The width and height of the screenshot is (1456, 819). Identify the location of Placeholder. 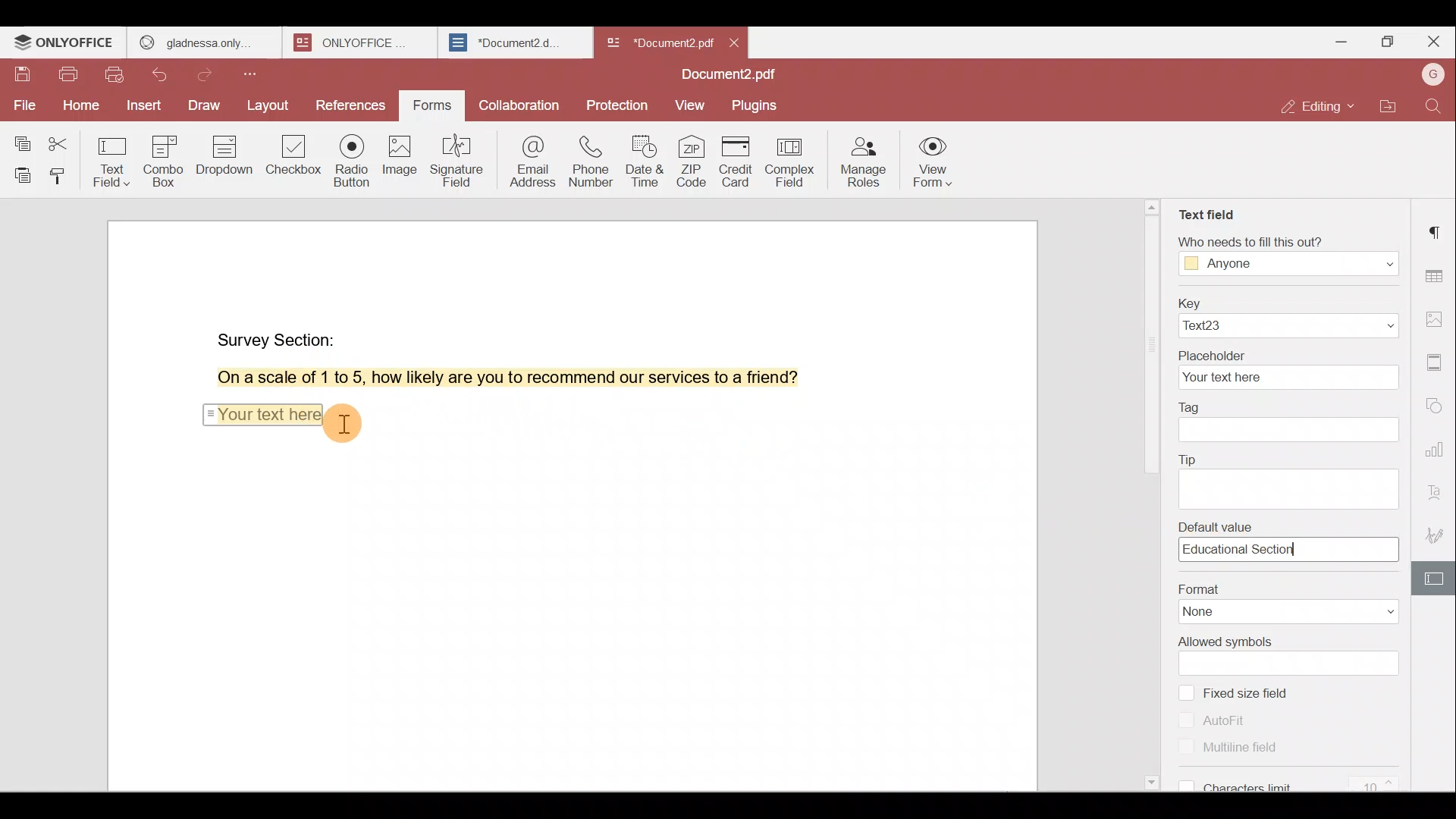
(1287, 369).